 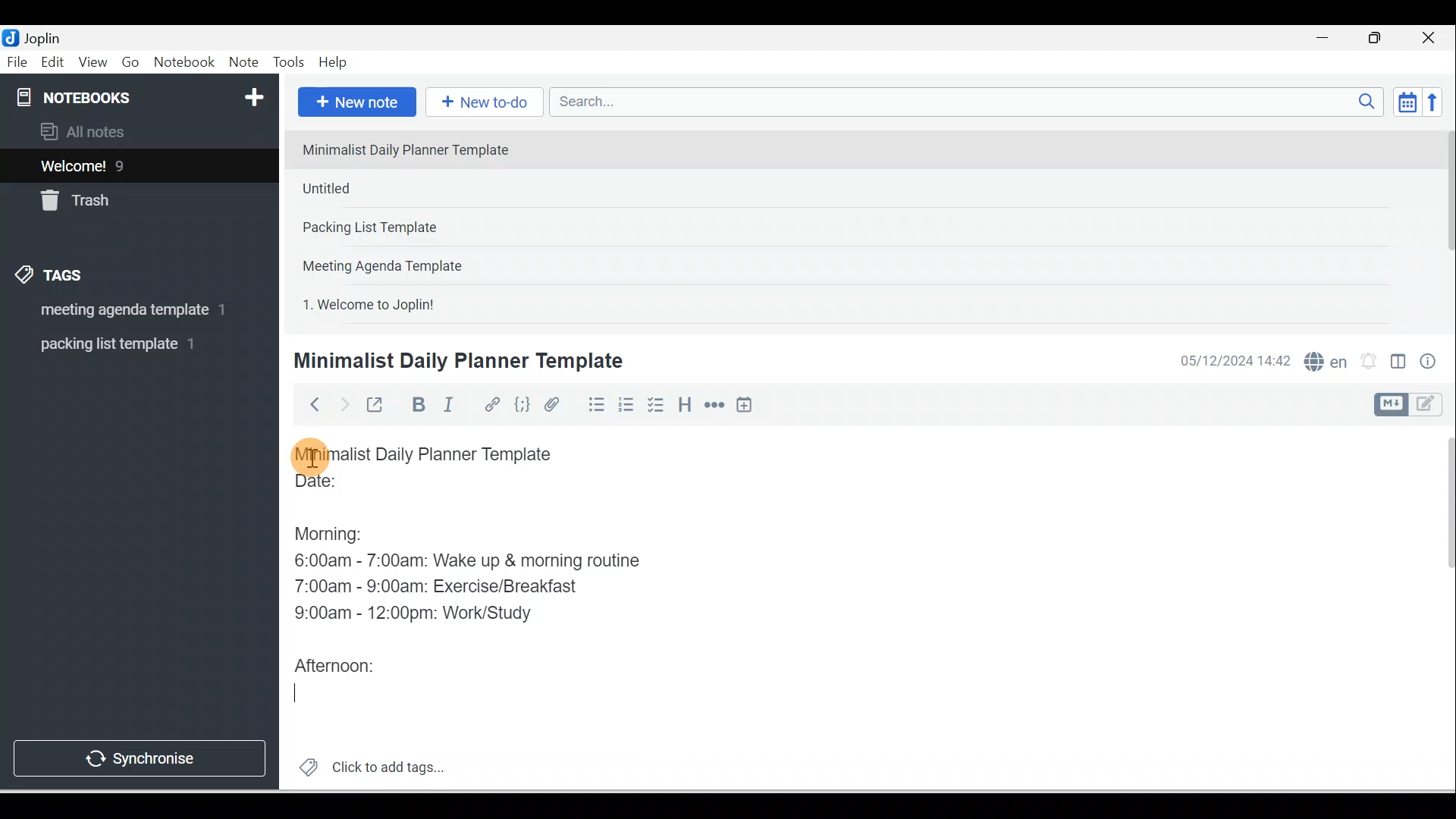 I want to click on Code, so click(x=522, y=406).